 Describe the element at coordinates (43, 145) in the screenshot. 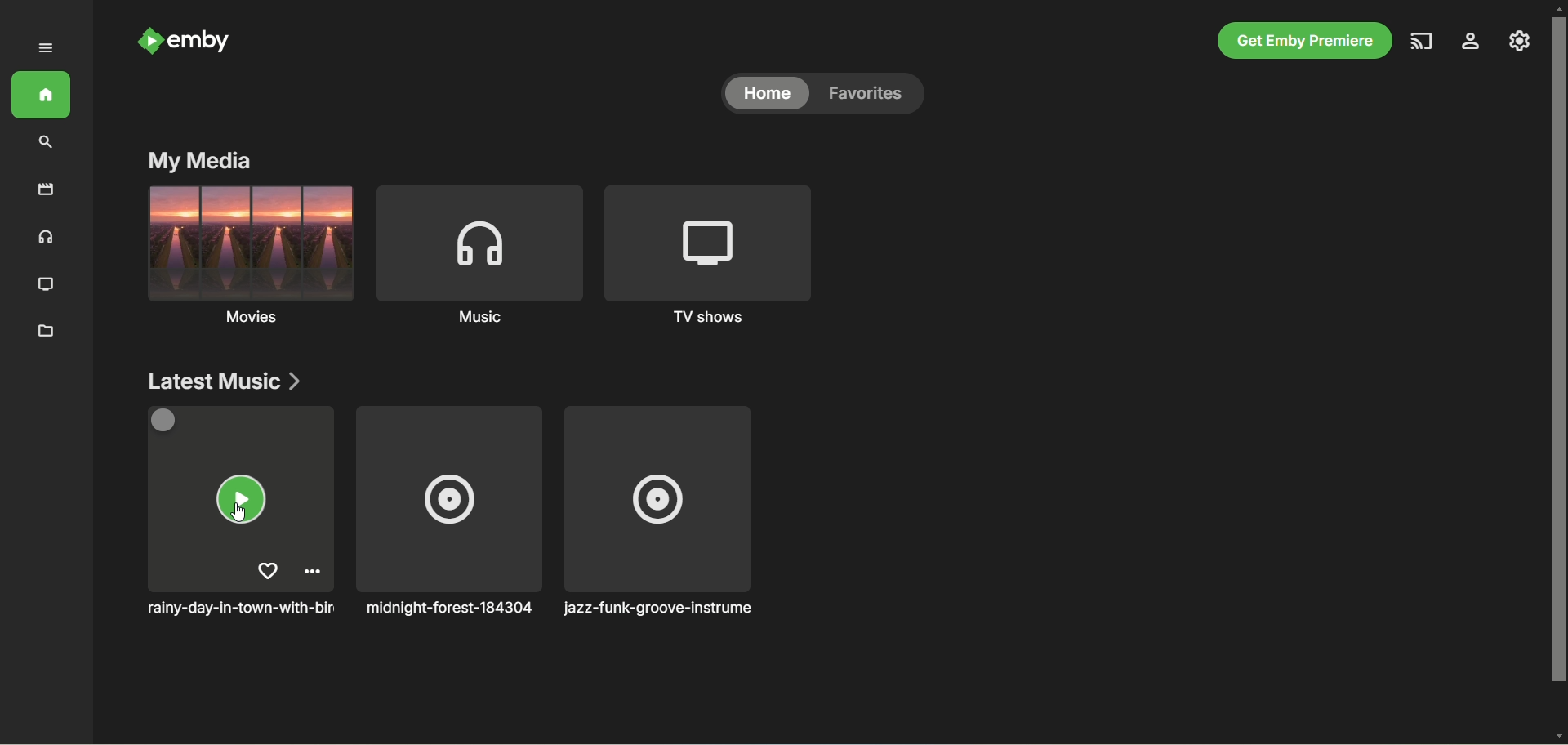

I see `search` at that location.